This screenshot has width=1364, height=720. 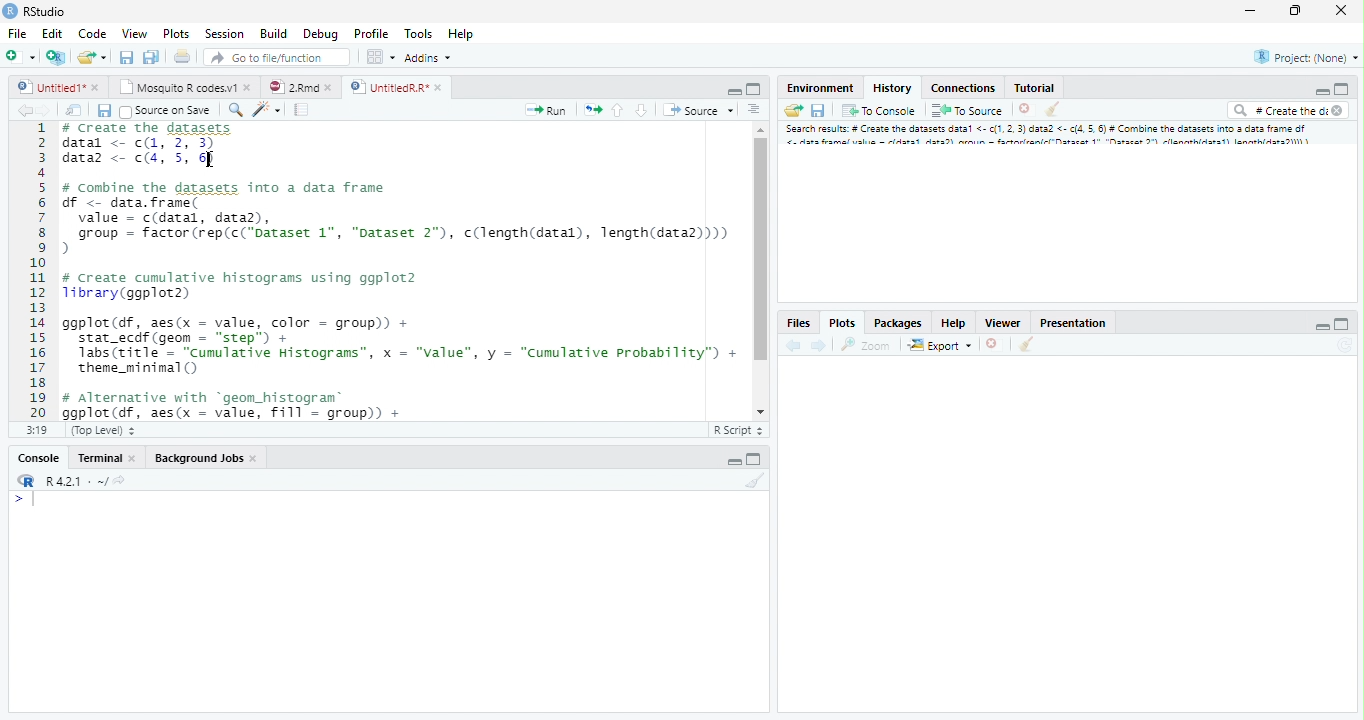 I want to click on Tutorial, so click(x=1035, y=88).